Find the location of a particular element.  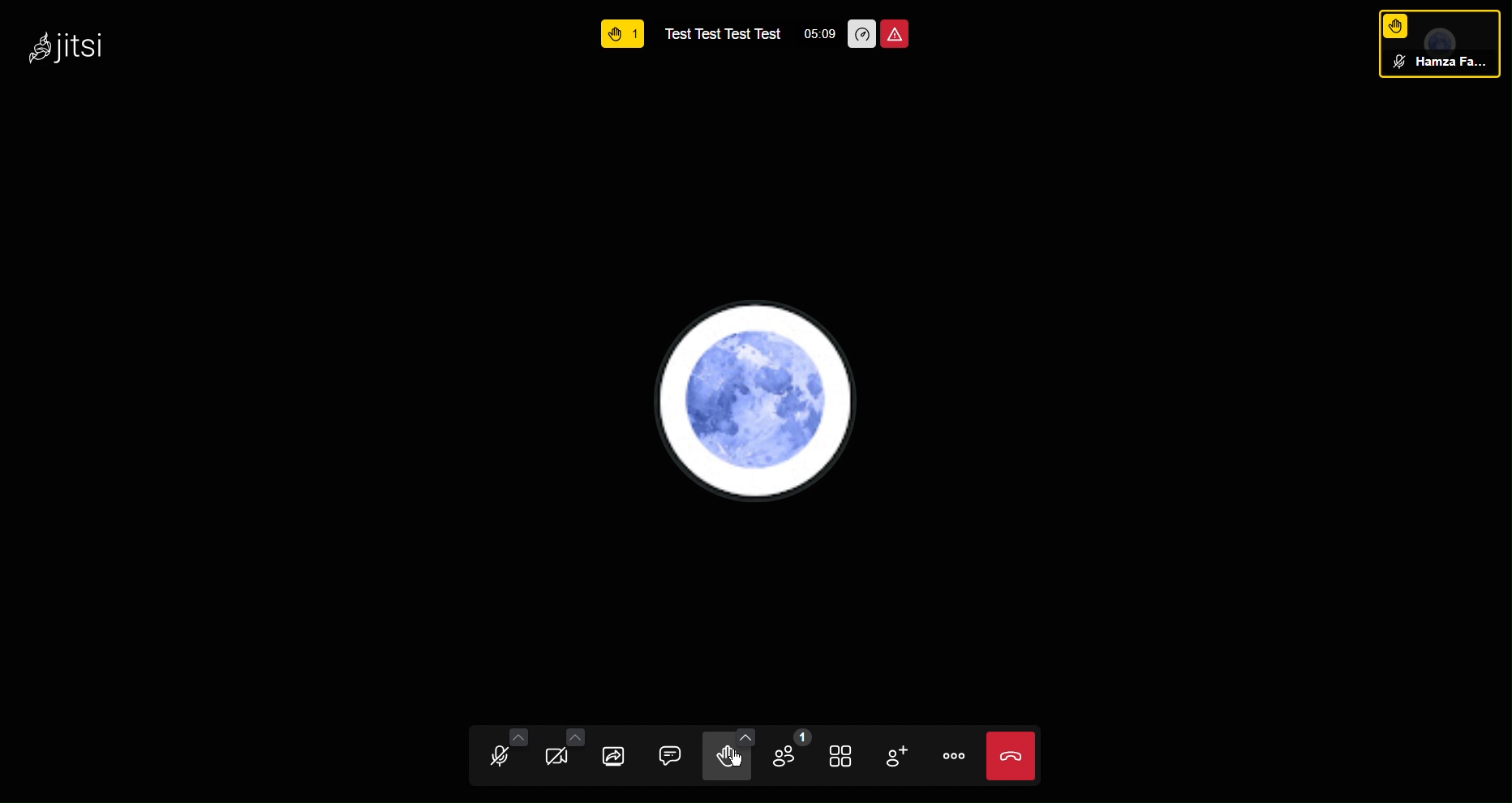

Share Screen is located at coordinates (623, 752).